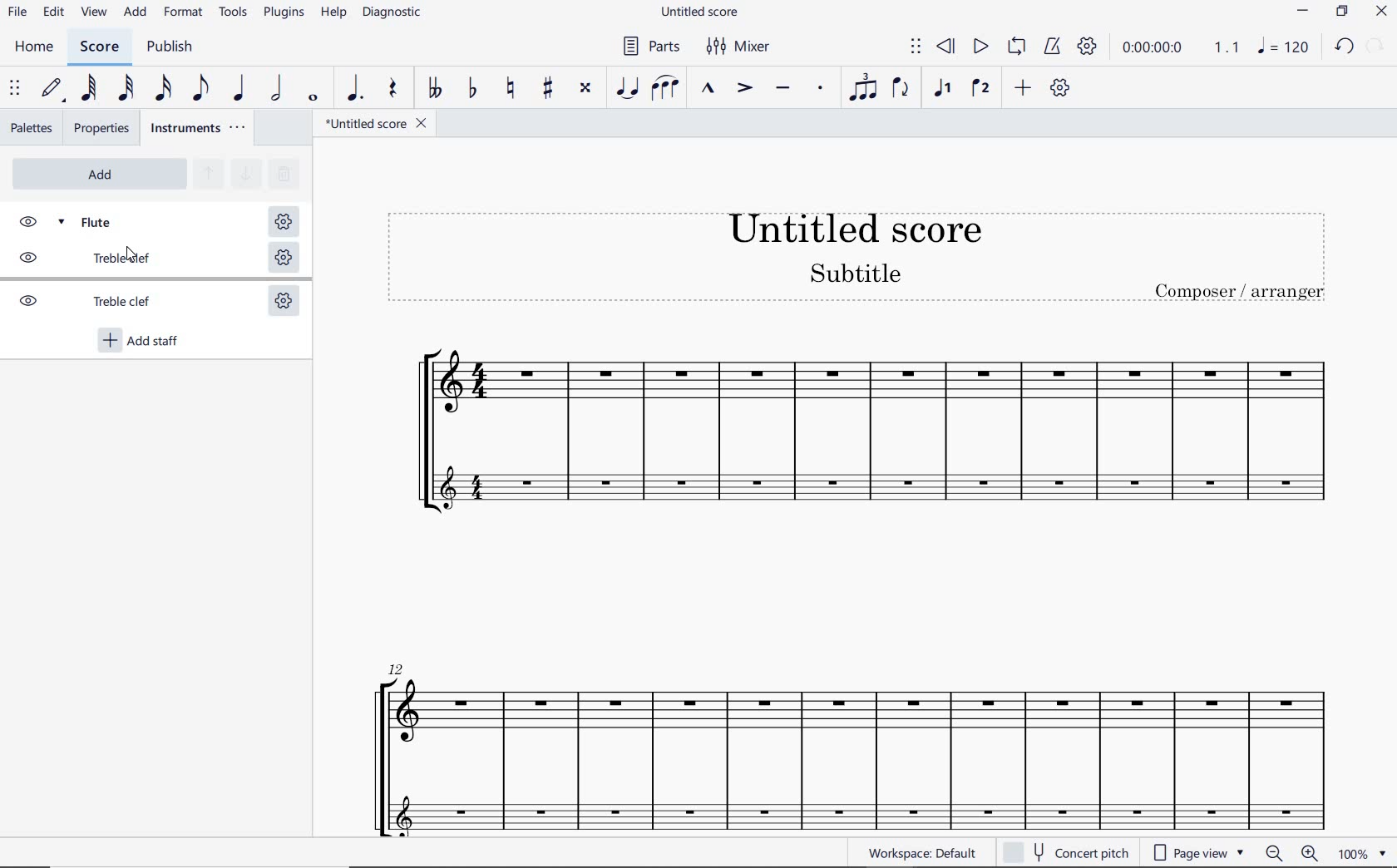 This screenshot has height=868, width=1397. Describe the element at coordinates (850, 395) in the screenshot. I see `Flute Instrument` at that location.